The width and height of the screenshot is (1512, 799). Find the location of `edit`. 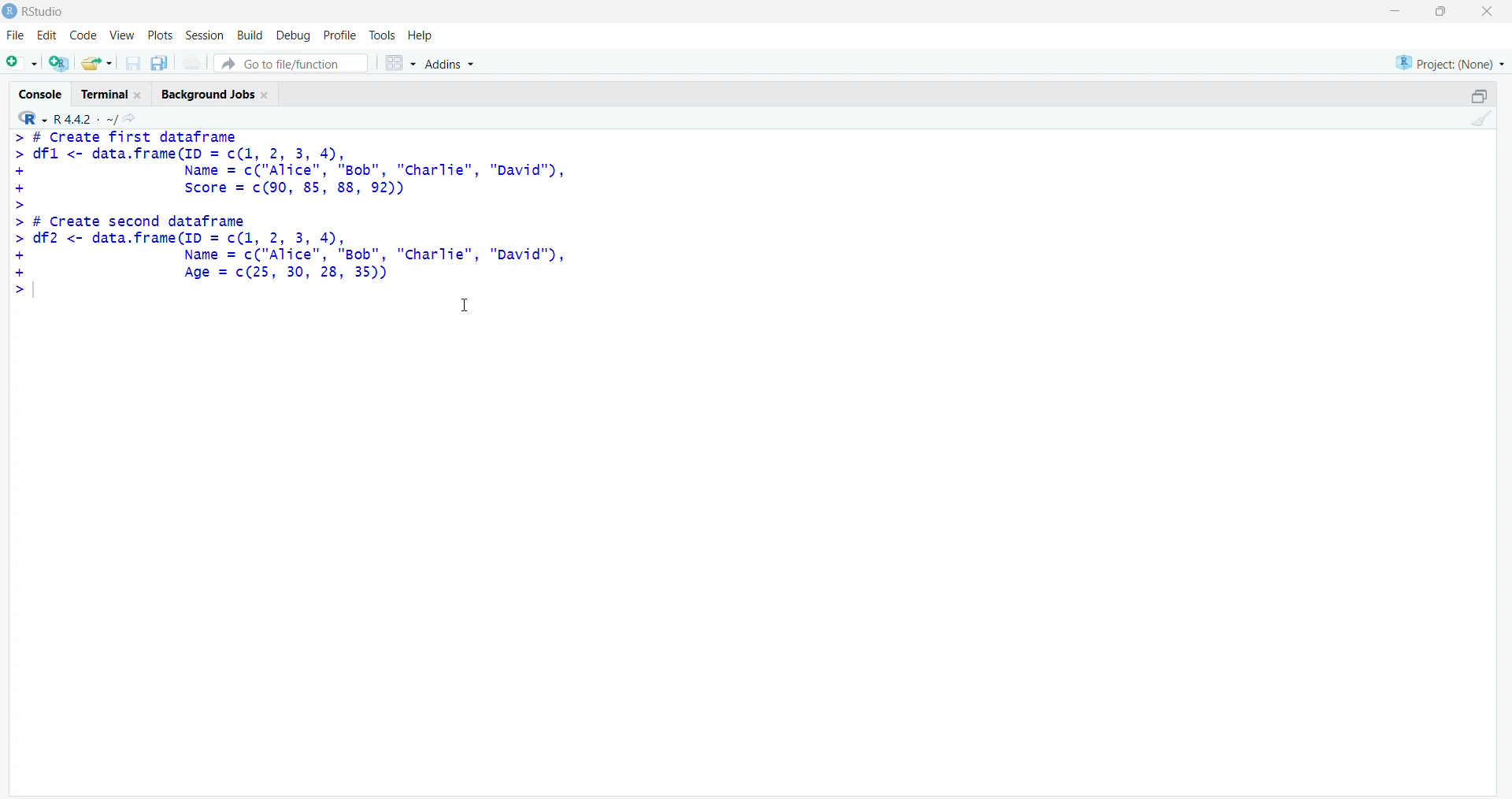

edit is located at coordinates (47, 35).